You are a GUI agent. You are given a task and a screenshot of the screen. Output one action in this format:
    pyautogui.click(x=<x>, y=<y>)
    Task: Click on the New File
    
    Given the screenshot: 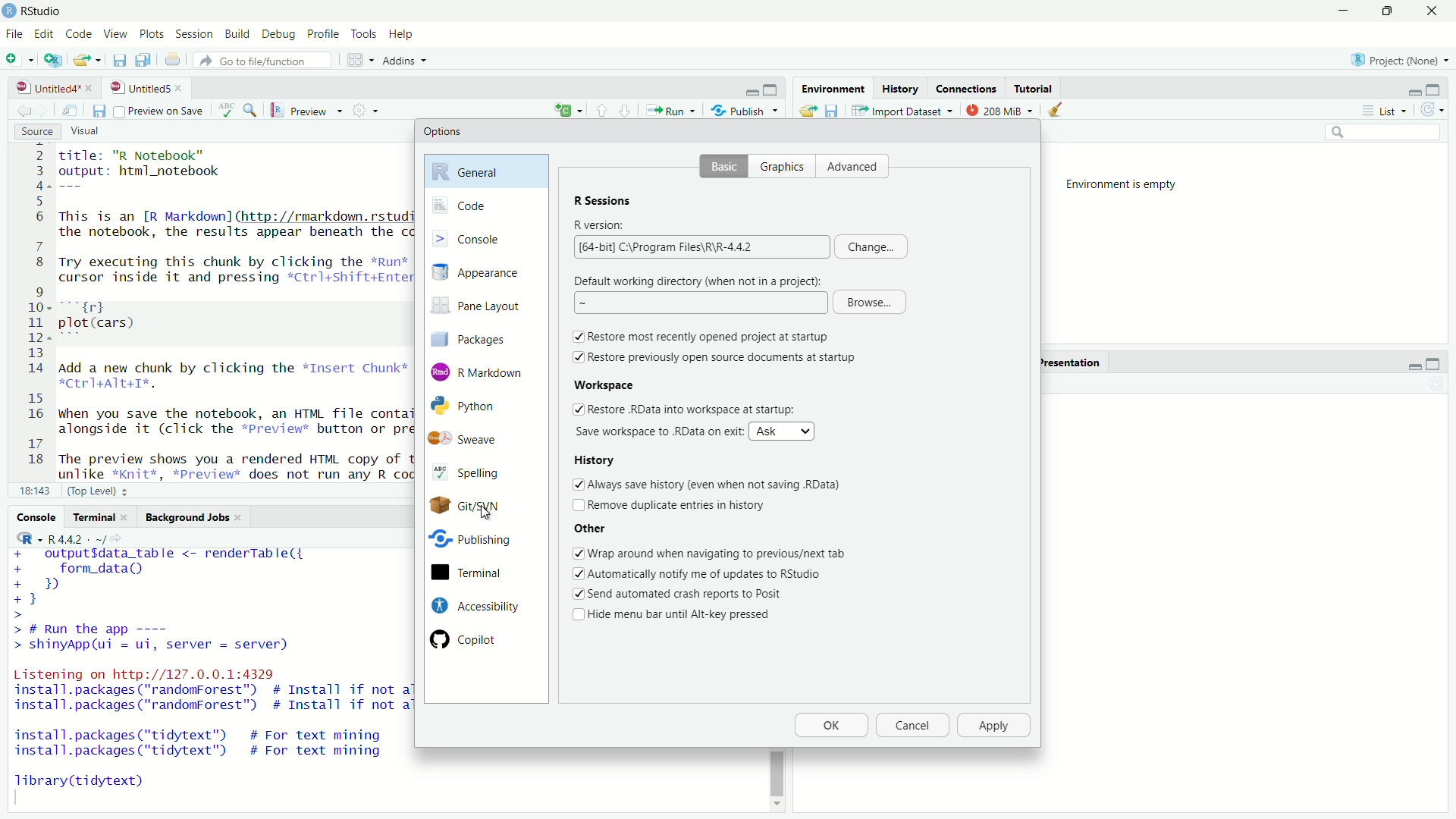 What is the action you would take?
    pyautogui.click(x=20, y=58)
    